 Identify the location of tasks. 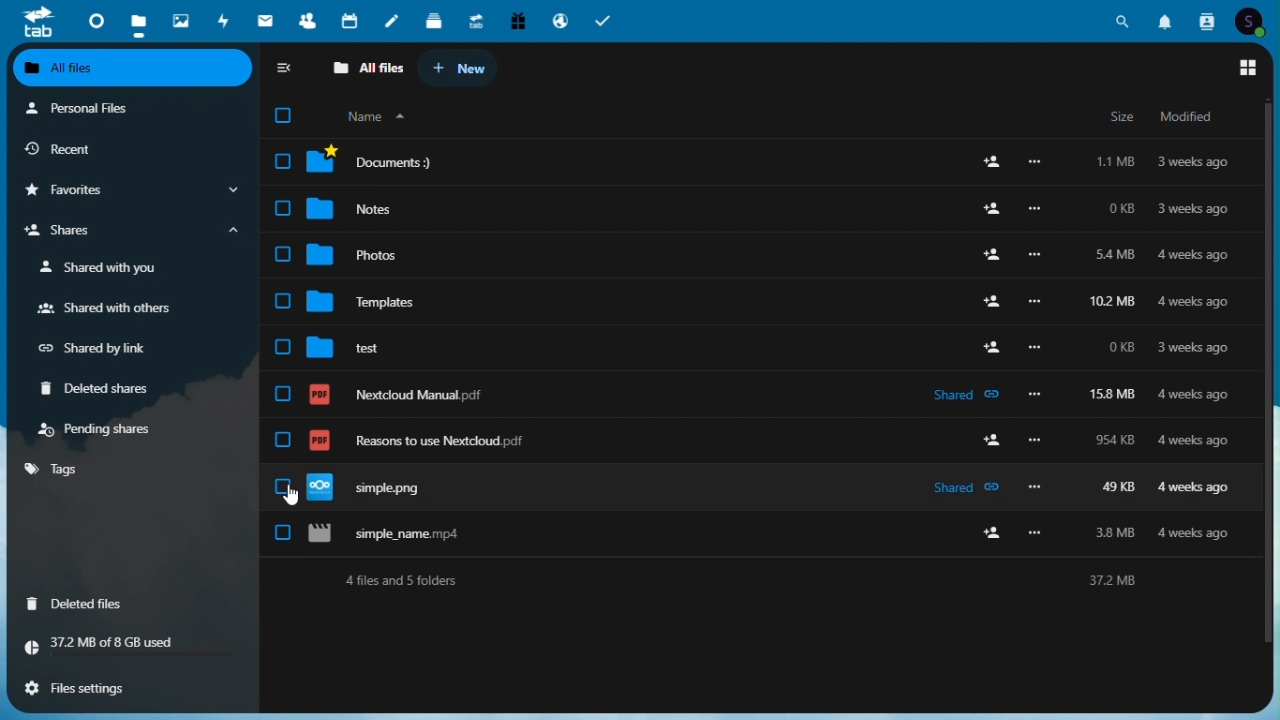
(604, 19).